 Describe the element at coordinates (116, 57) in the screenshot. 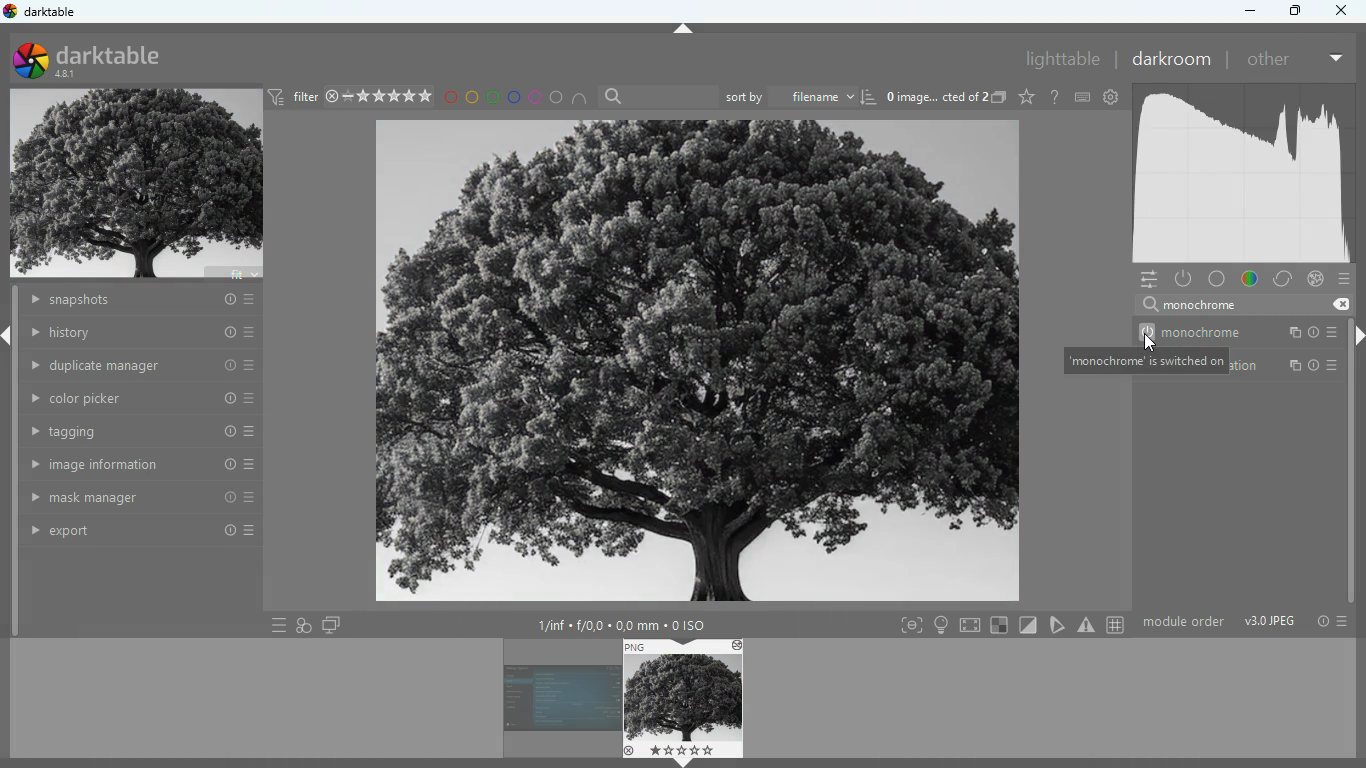

I see `darktable` at that location.